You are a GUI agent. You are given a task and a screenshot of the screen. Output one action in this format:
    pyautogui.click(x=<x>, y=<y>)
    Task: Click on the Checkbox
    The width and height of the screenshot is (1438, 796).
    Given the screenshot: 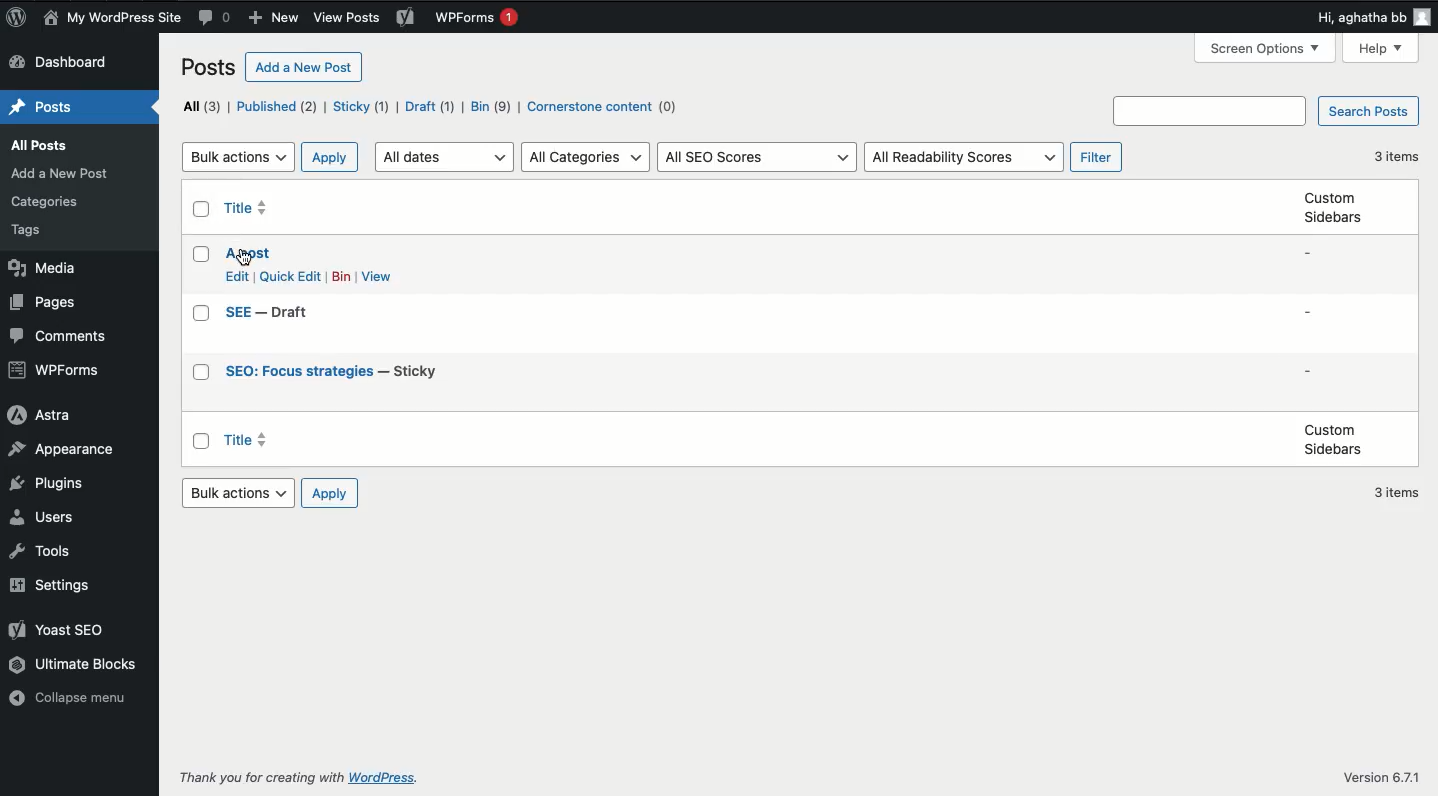 What is the action you would take?
    pyautogui.click(x=204, y=313)
    